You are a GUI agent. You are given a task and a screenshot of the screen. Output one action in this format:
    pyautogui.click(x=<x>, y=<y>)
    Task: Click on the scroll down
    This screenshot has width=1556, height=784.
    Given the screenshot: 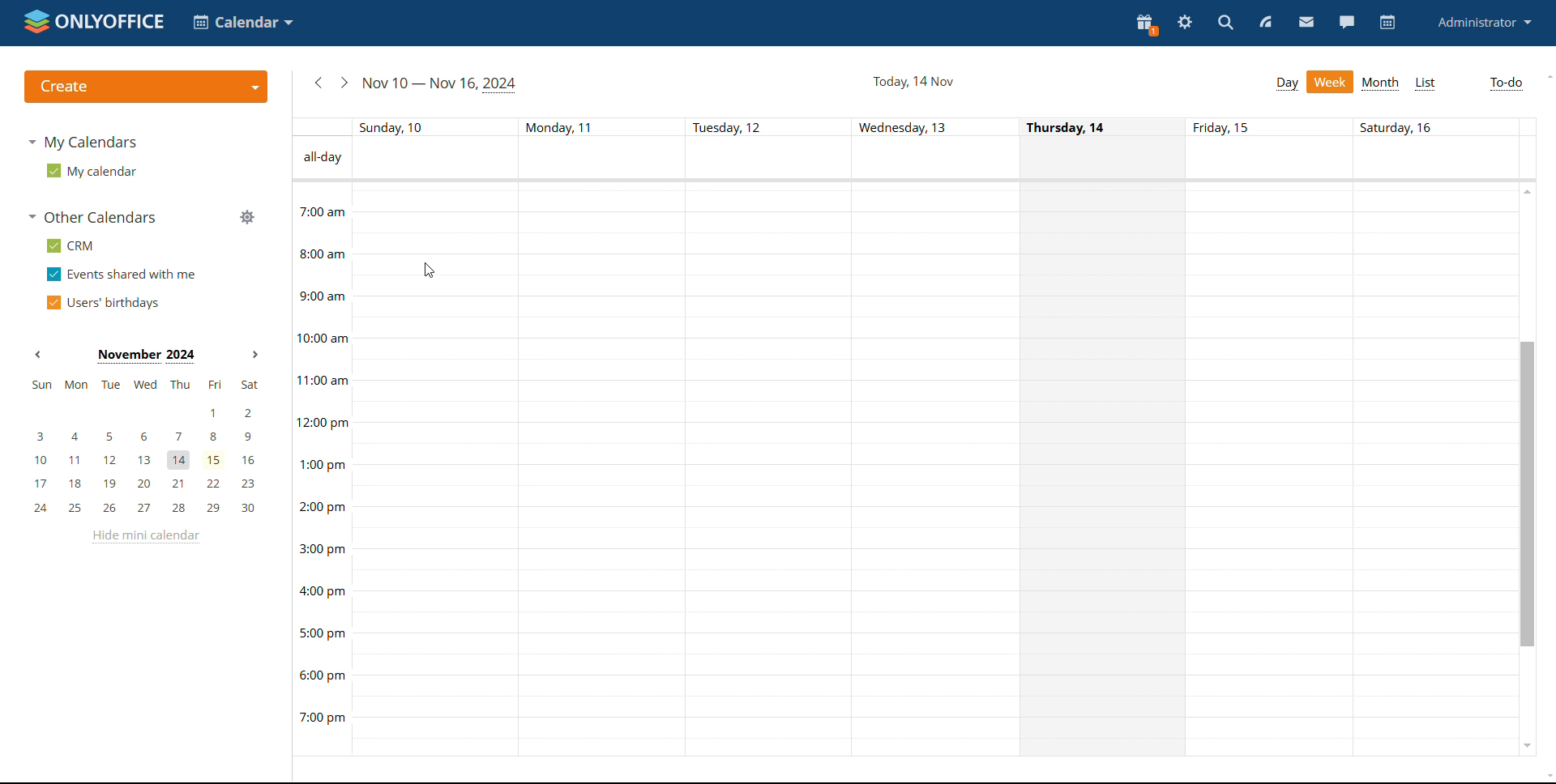 What is the action you would take?
    pyautogui.click(x=1546, y=775)
    